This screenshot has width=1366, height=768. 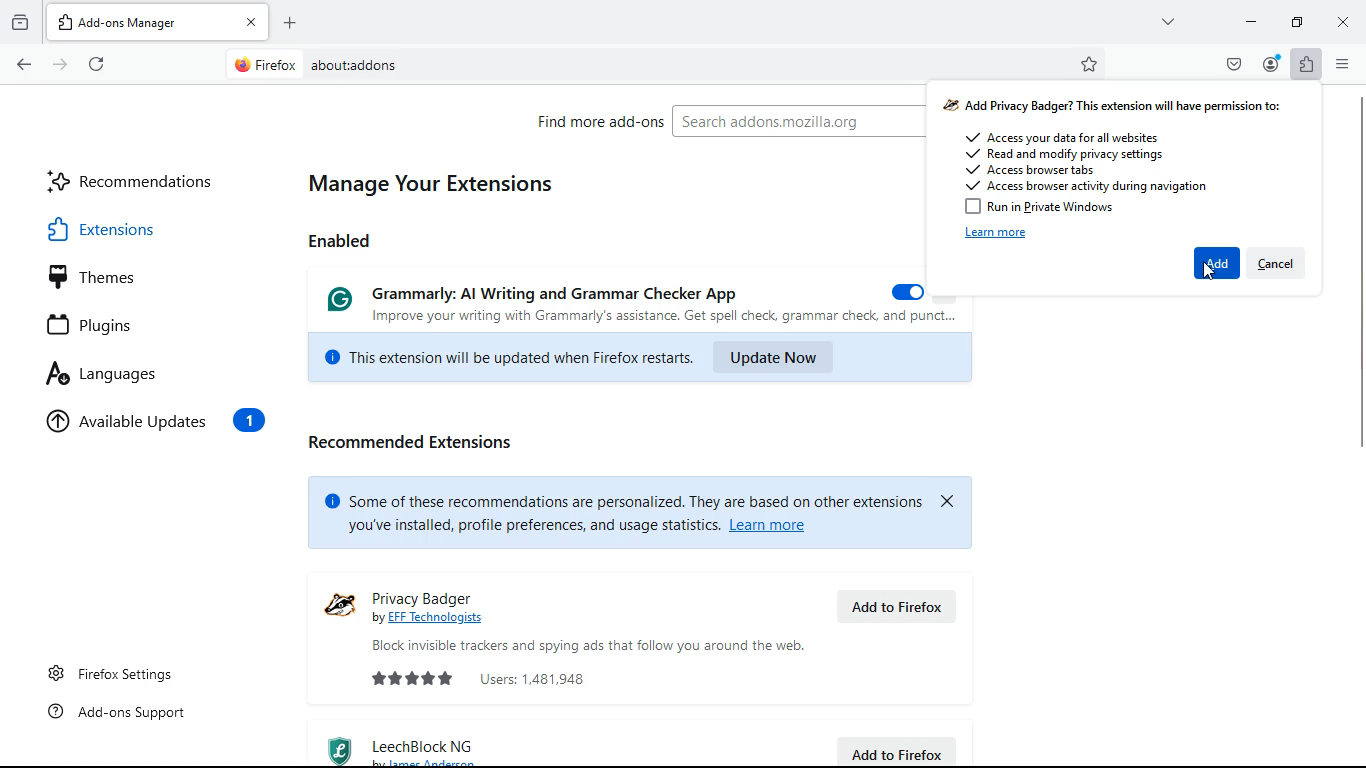 What do you see at coordinates (1042, 206) in the screenshot?
I see `Run in Private Windows` at bounding box center [1042, 206].